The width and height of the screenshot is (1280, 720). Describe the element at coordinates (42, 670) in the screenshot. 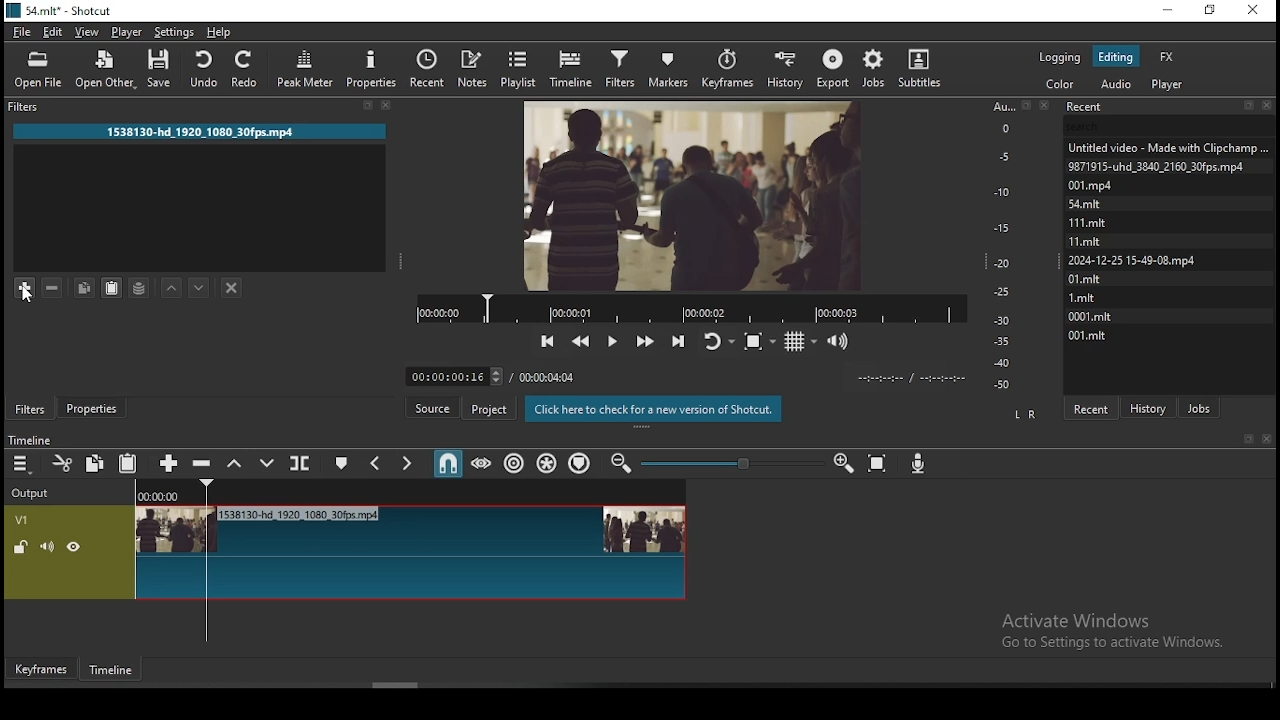

I see `keyframe` at that location.